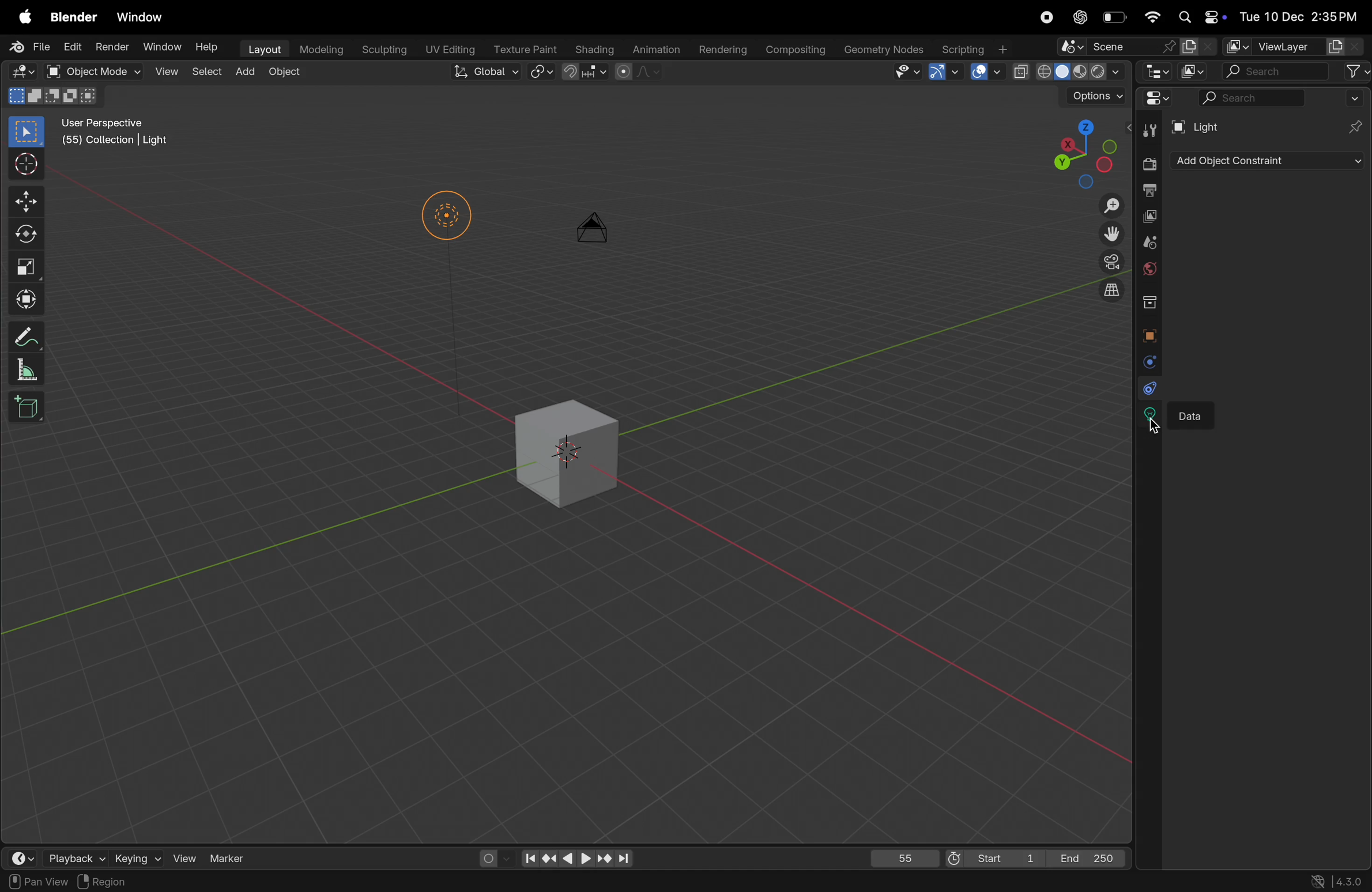  I want to click on blender, so click(74, 16).